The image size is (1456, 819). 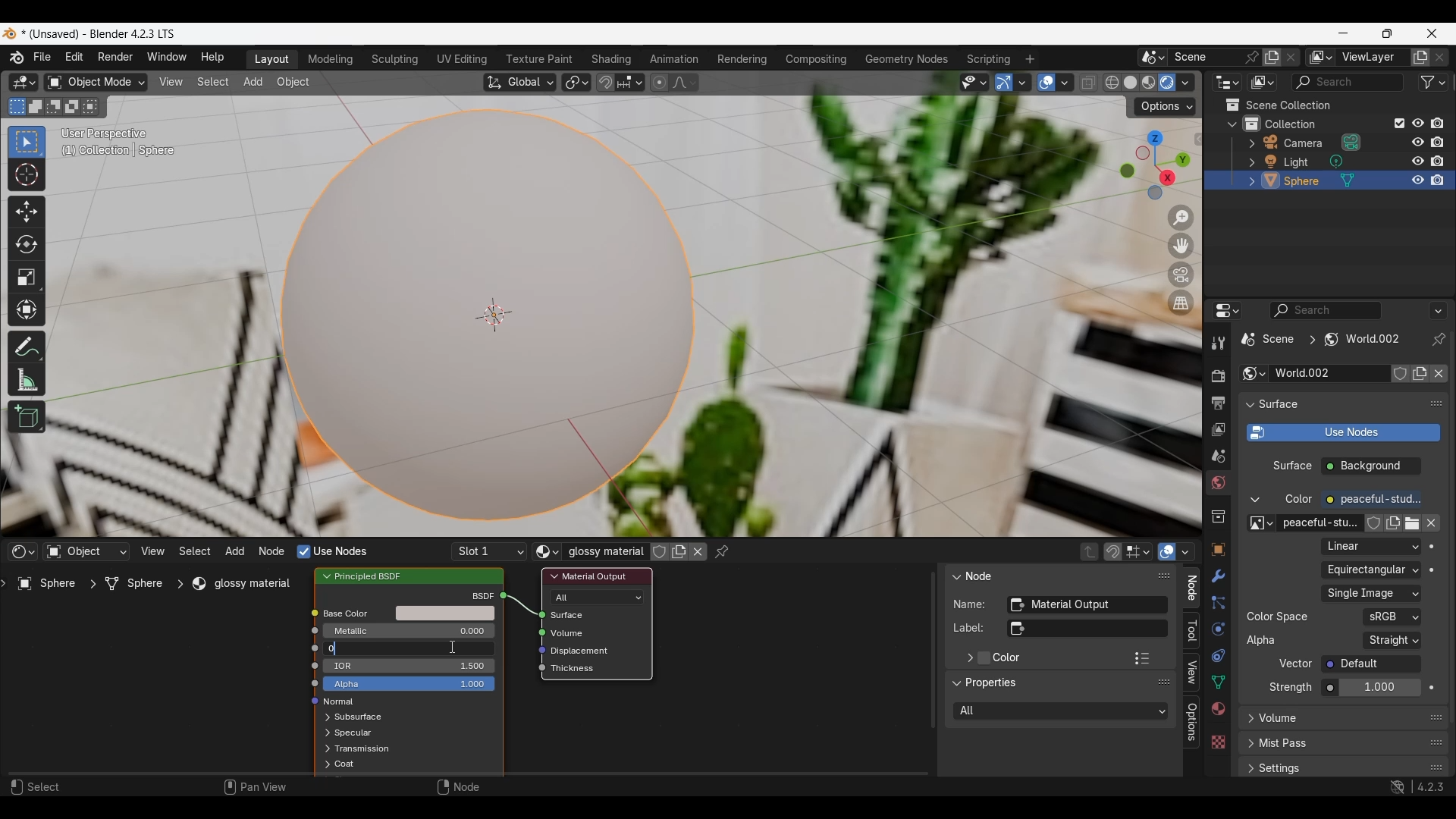 I want to click on Show overlay, so click(x=1046, y=83).